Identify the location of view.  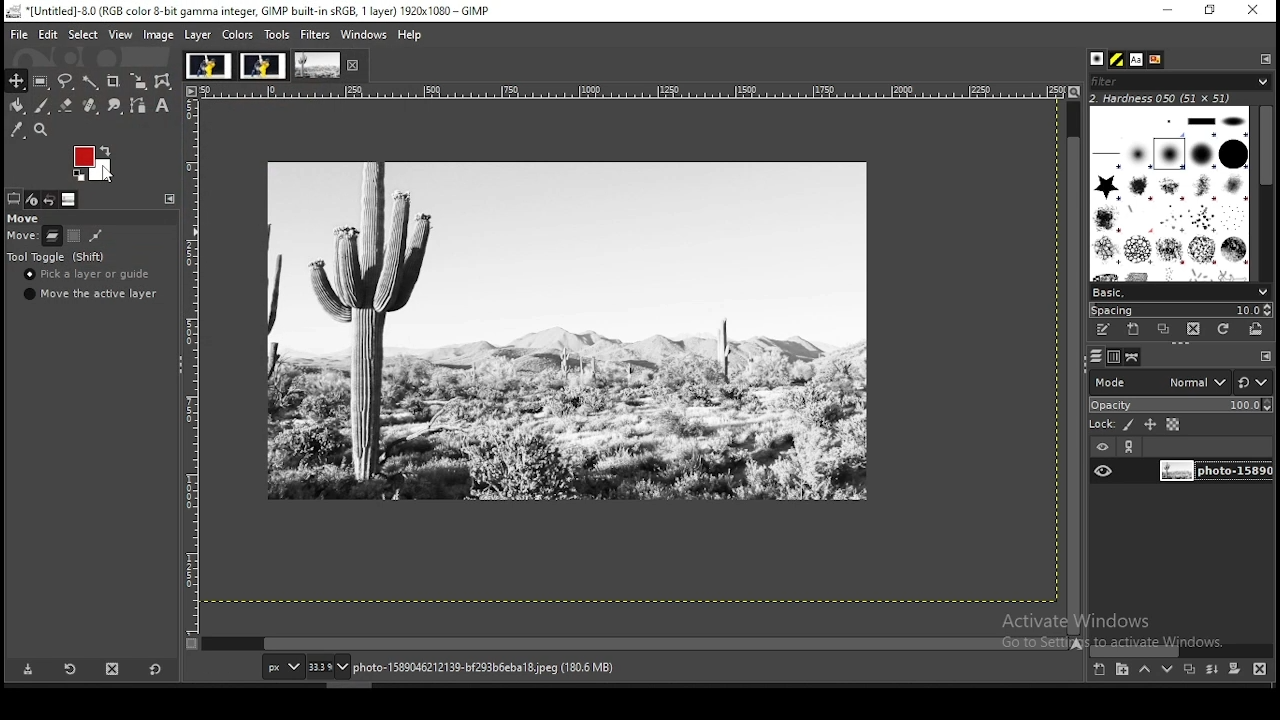
(122, 35).